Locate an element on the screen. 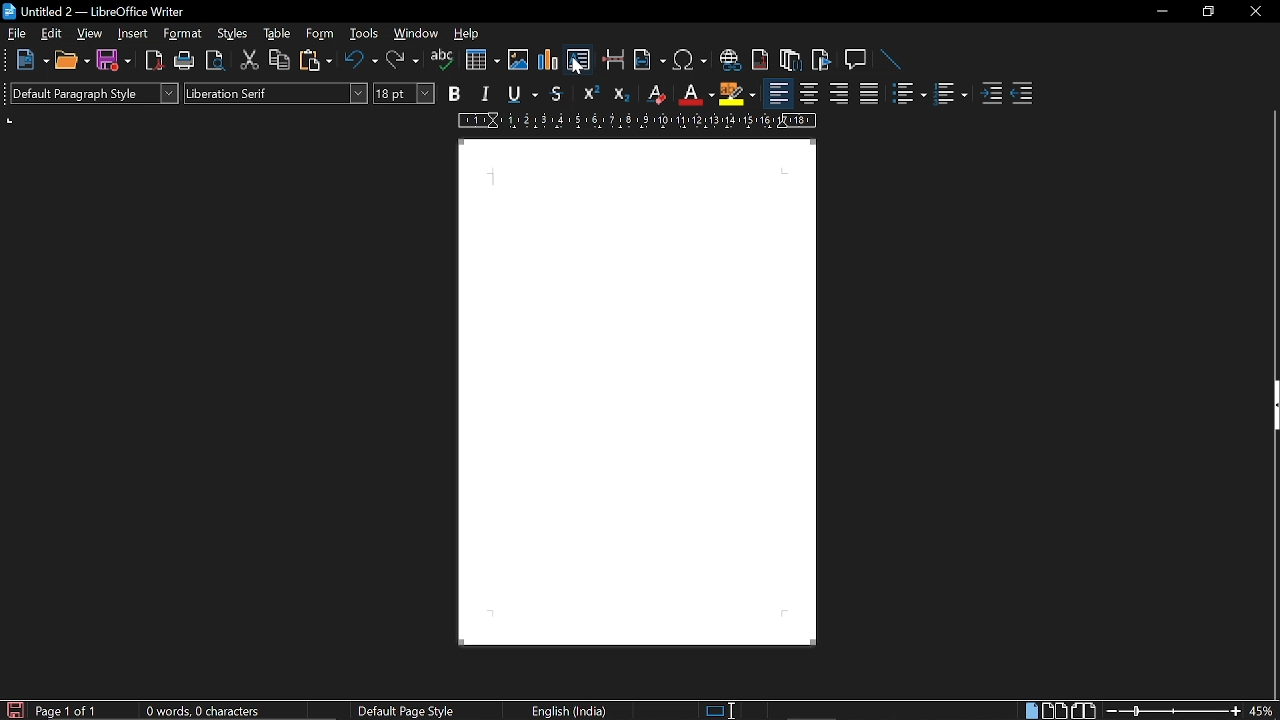  insert chart is located at coordinates (549, 60).